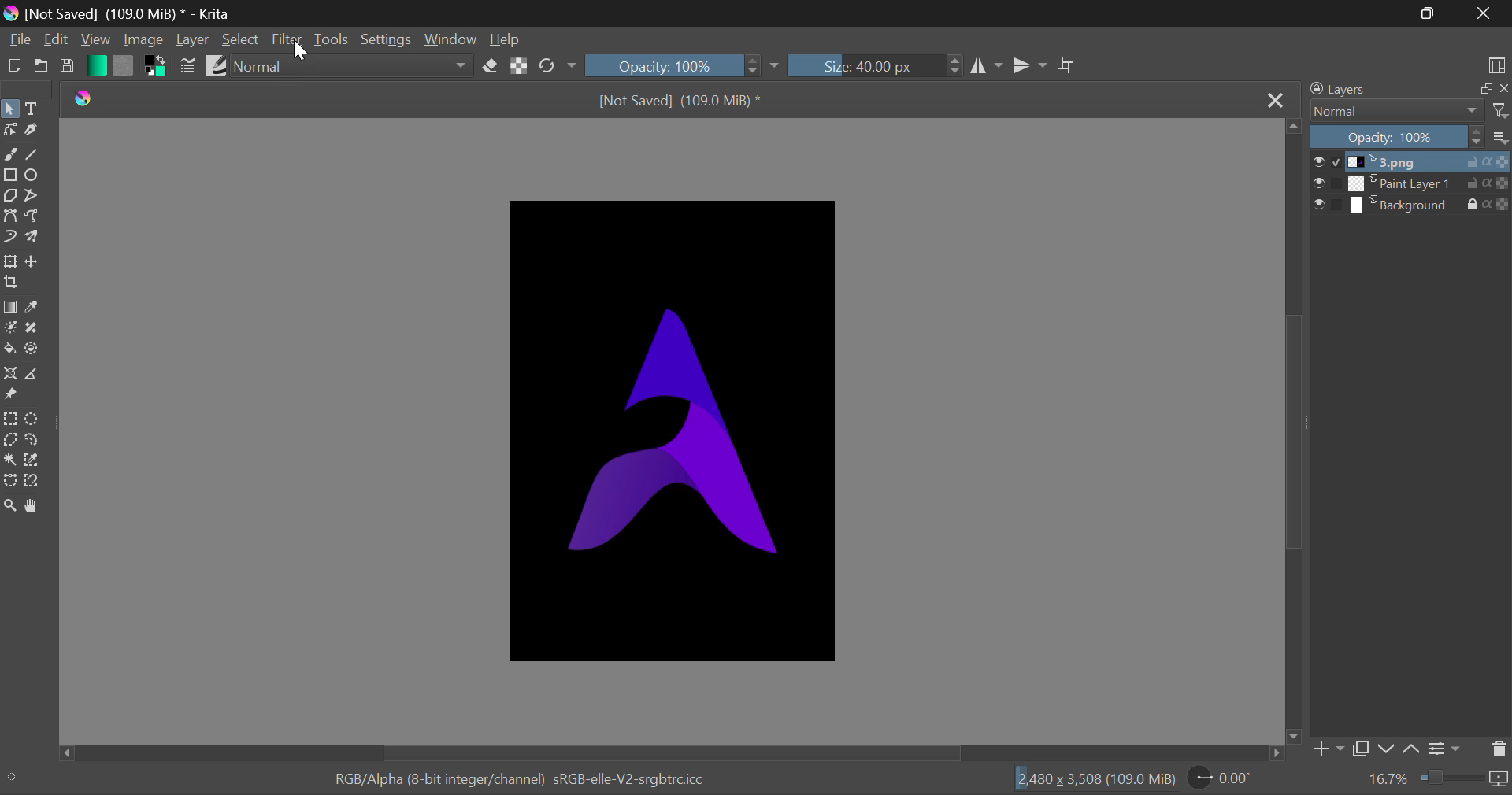 This screenshot has width=1512, height=795. What do you see at coordinates (520, 65) in the screenshot?
I see `Lock Alpha` at bounding box center [520, 65].